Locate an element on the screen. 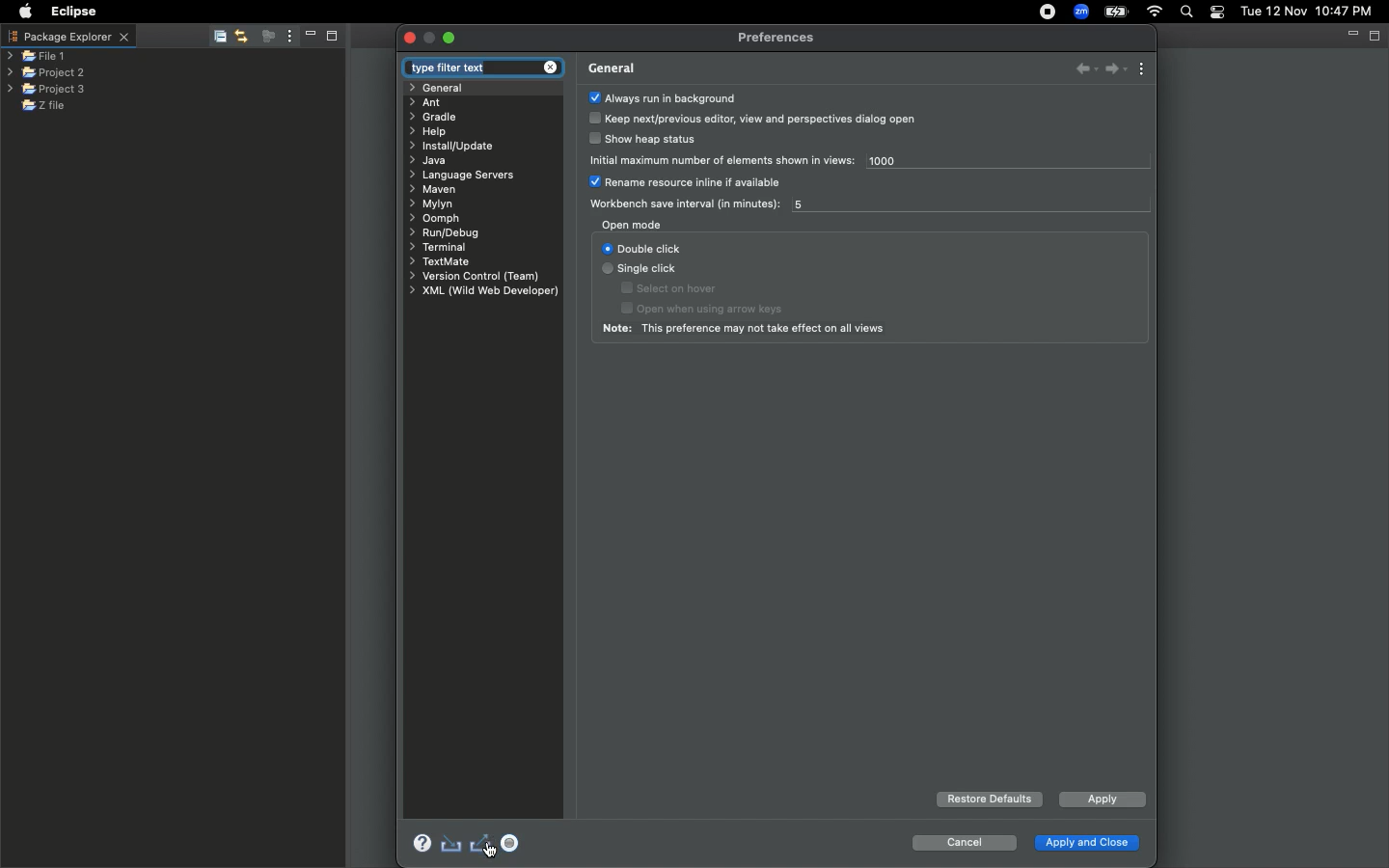 This screenshot has height=868, width=1389. Focus on active task is located at coordinates (267, 36).